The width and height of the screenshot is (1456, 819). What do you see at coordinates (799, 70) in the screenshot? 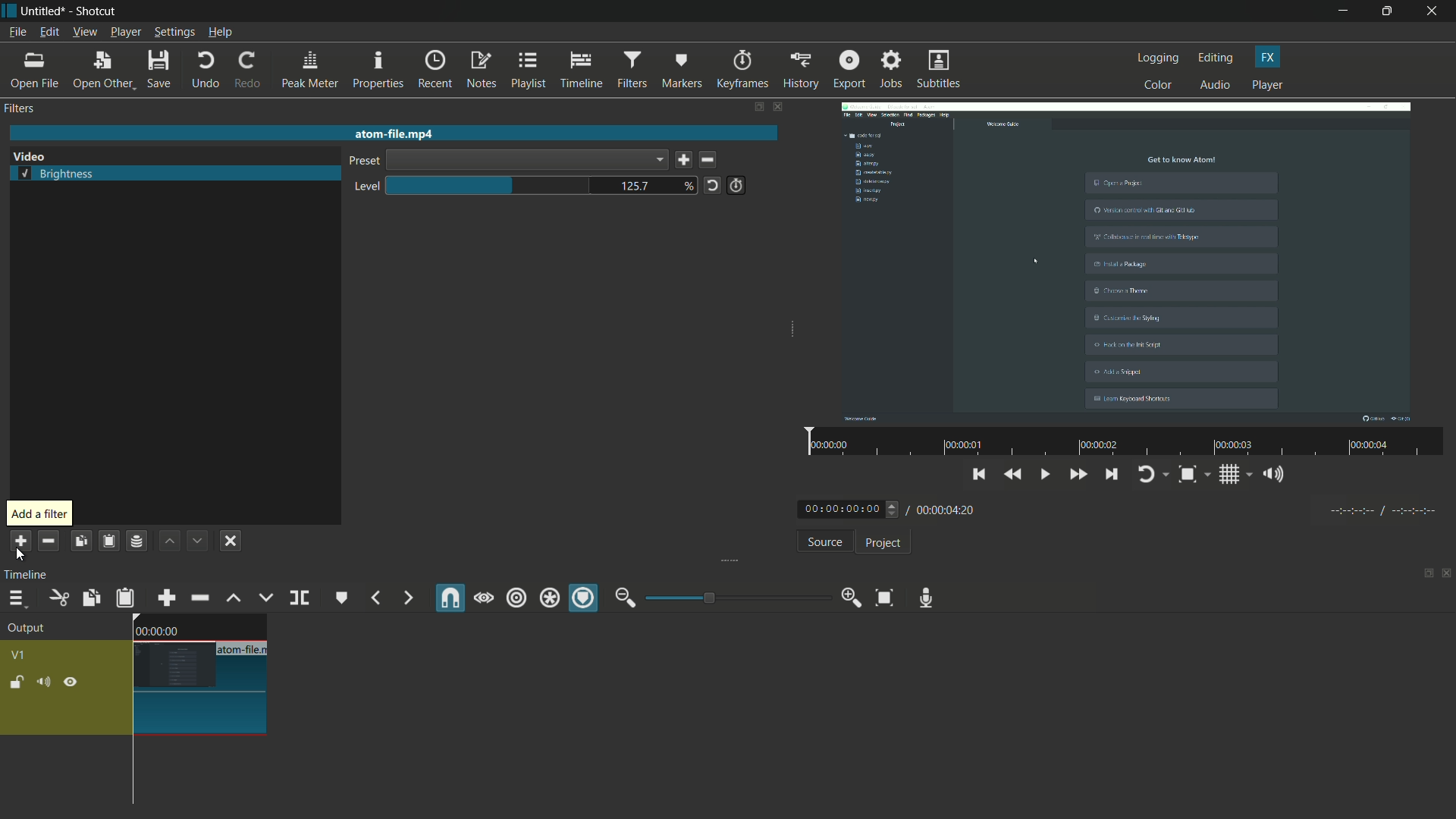
I see `history` at bounding box center [799, 70].